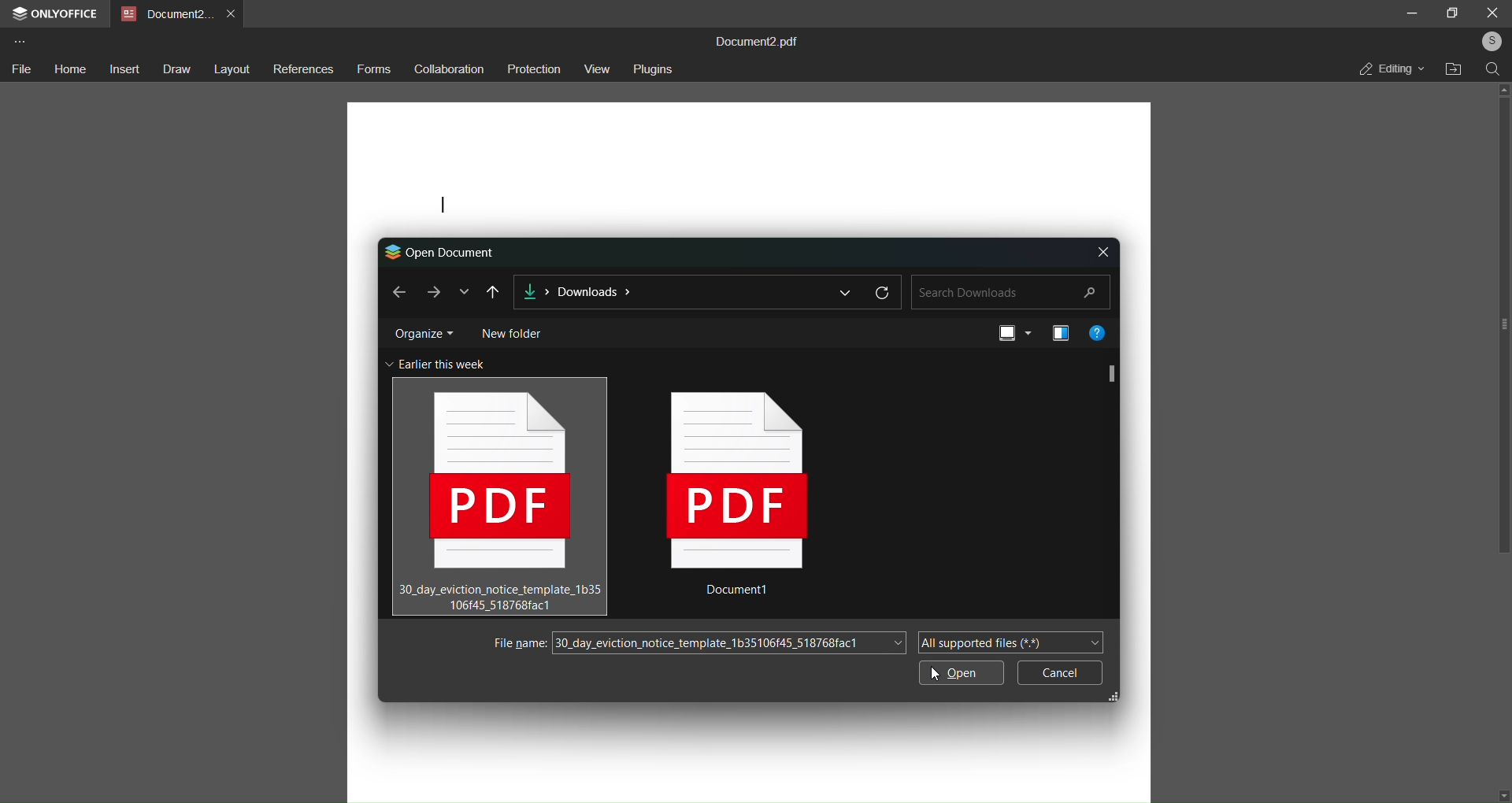 This screenshot has height=803, width=1512. What do you see at coordinates (1121, 695) in the screenshot?
I see `resize` at bounding box center [1121, 695].